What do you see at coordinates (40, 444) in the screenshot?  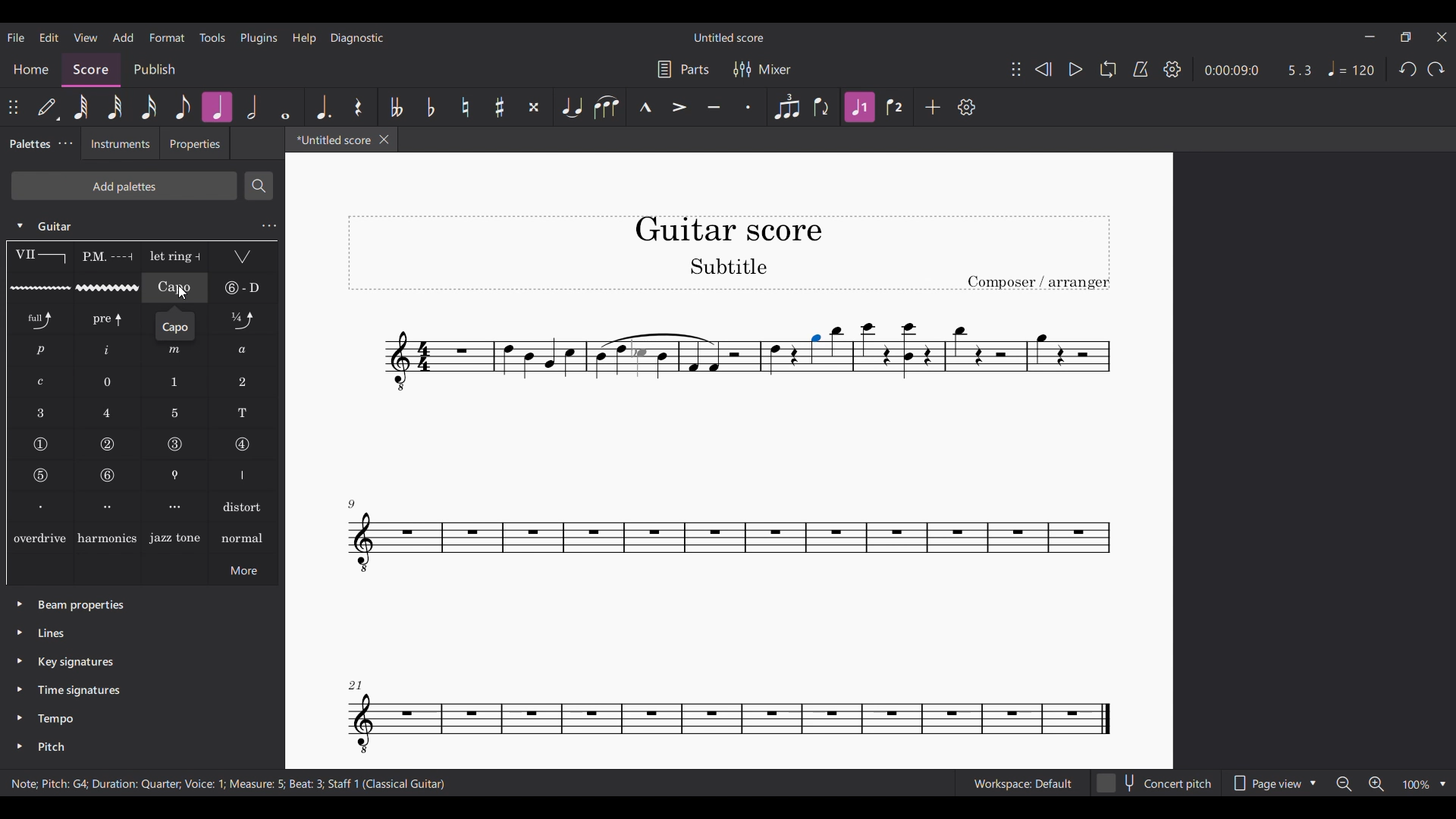 I see `String number 1` at bounding box center [40, 444].